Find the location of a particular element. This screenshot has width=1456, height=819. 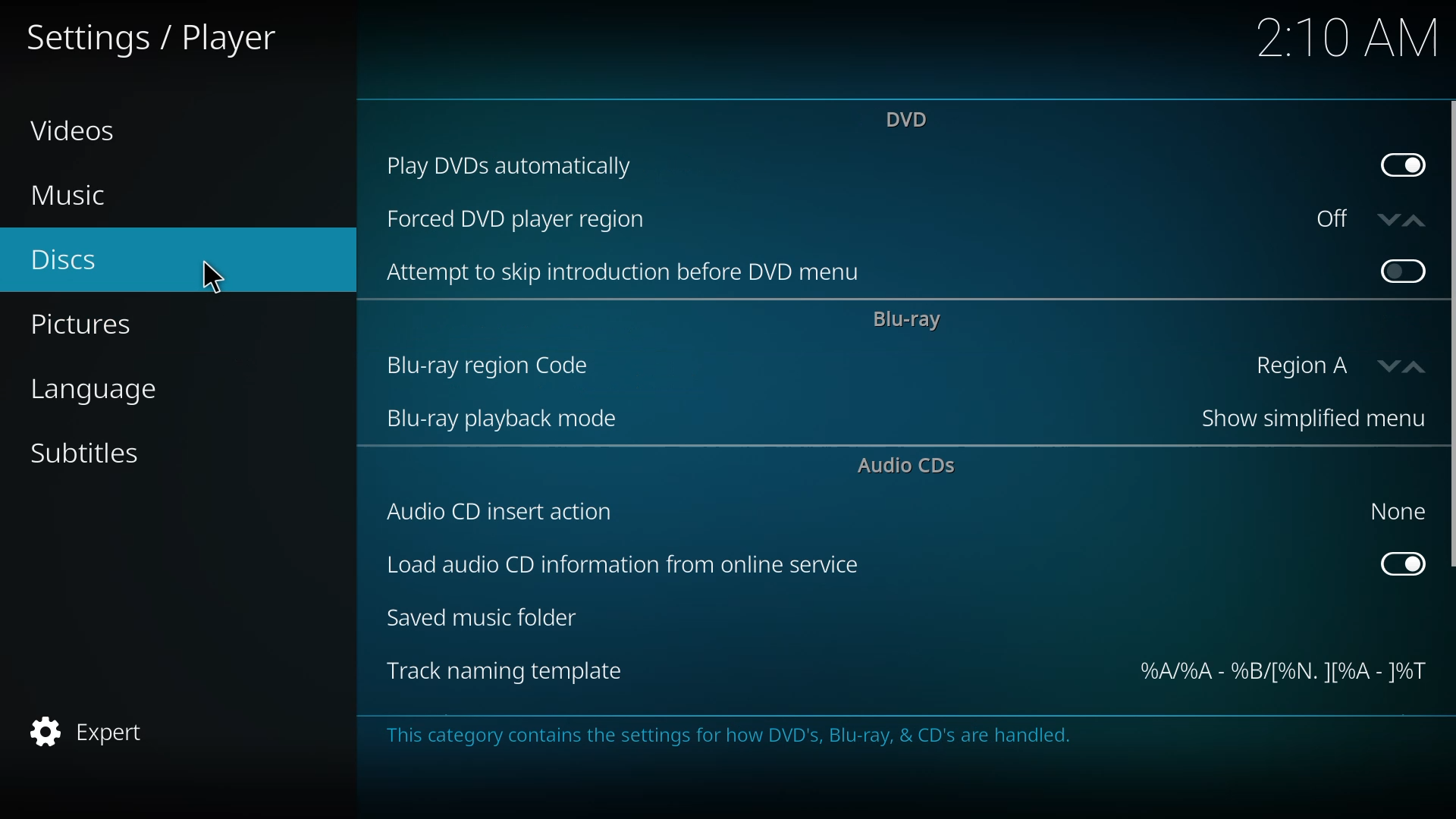

off is located at coordinates (1357, 218).